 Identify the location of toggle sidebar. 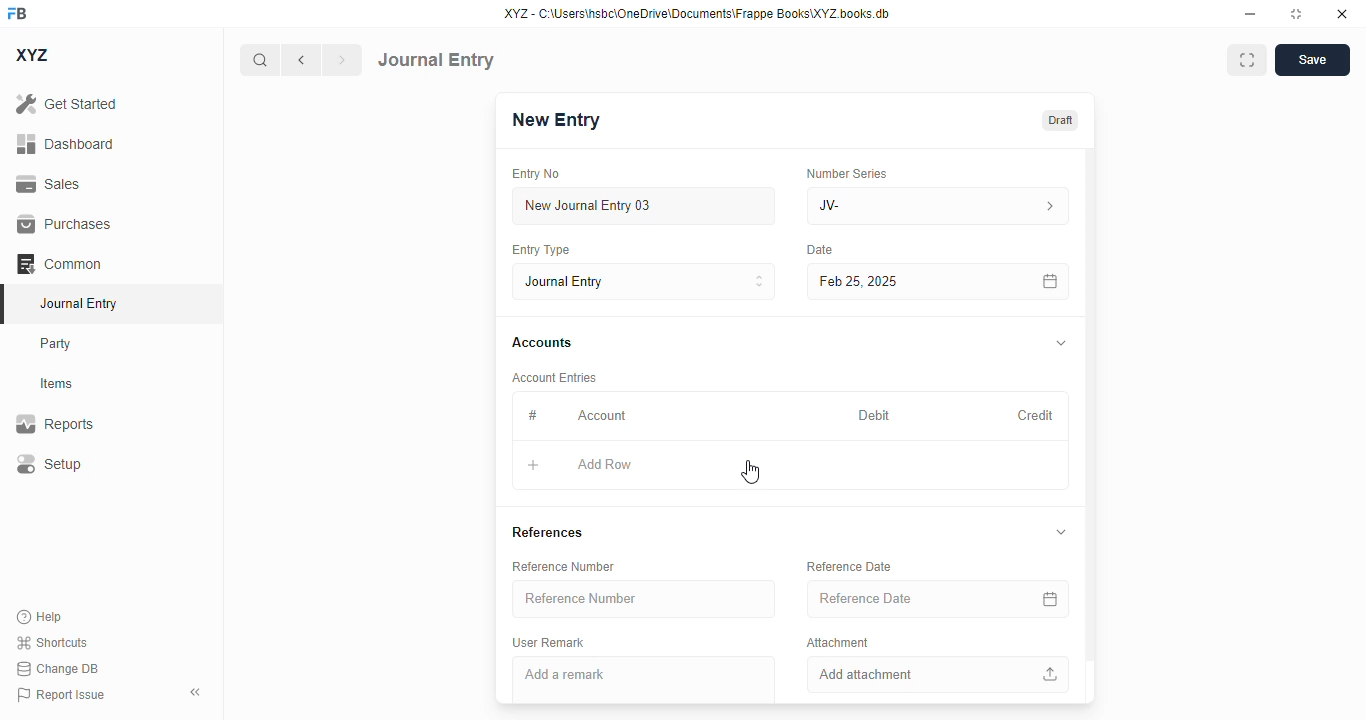
(197, 692).